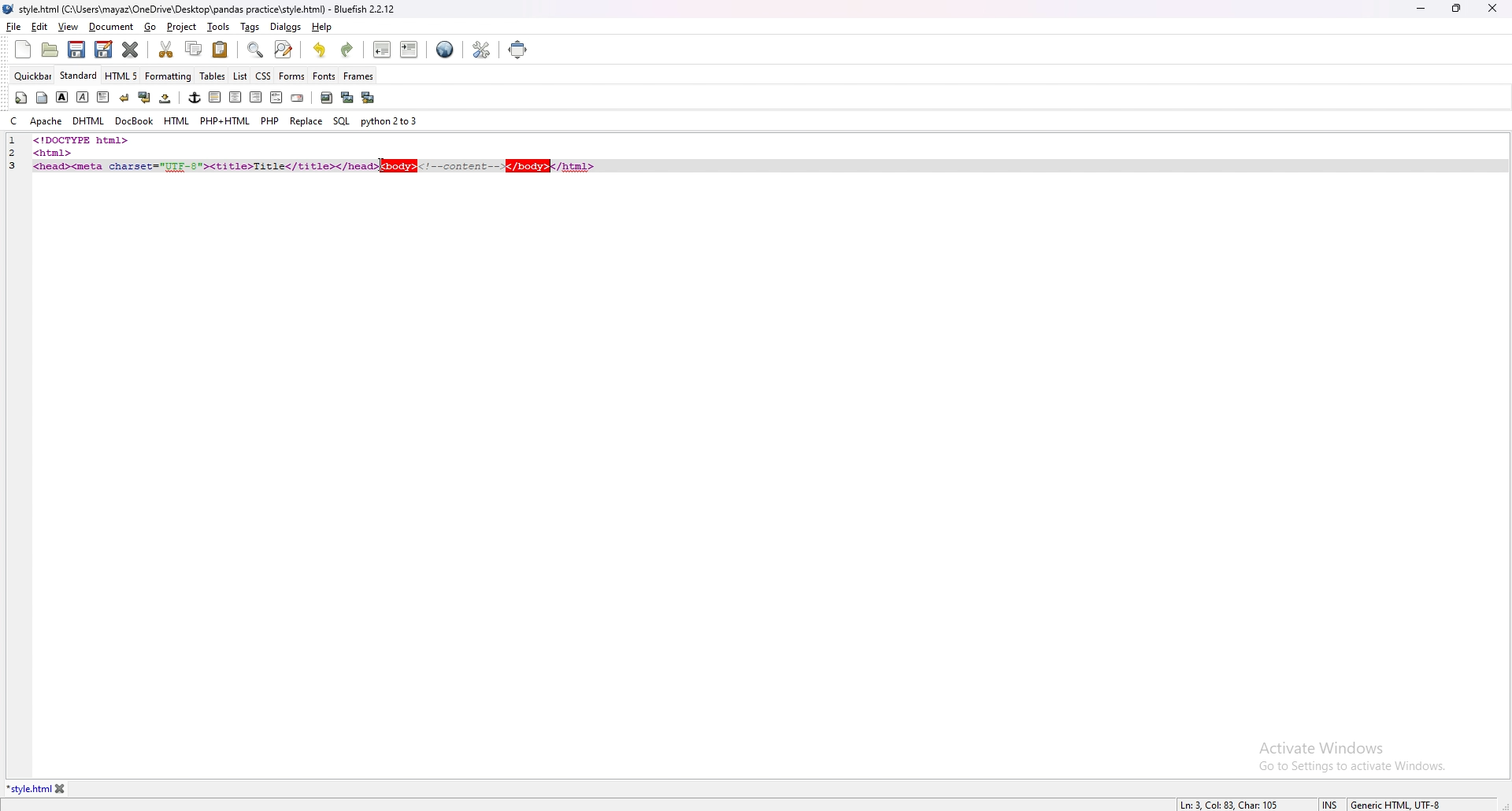 This screenshot has width=1512, height=811. Describe the element at coordinates (128, 139) in the screenshot. I see `code` at that location.